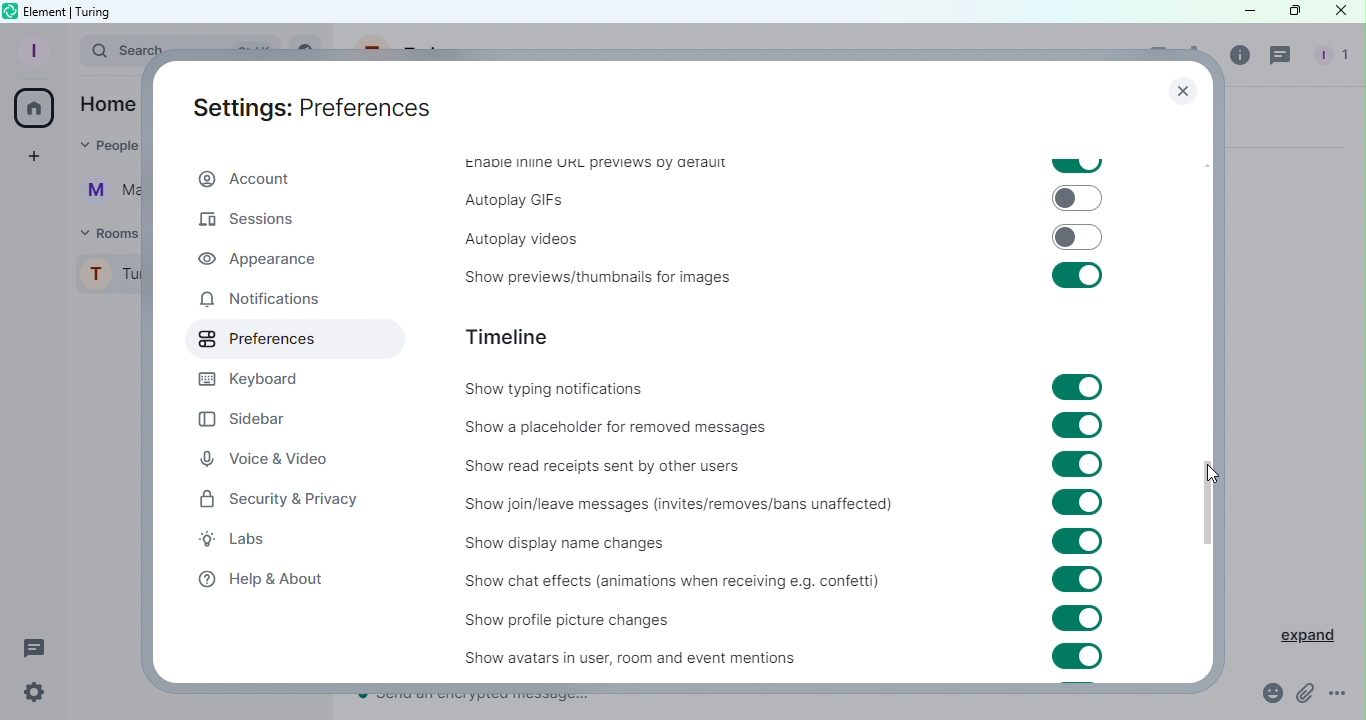  What do you see at coordinates (257, 414) in the screenshot?
I see `Sidebar` at bounding box center [257, 414].